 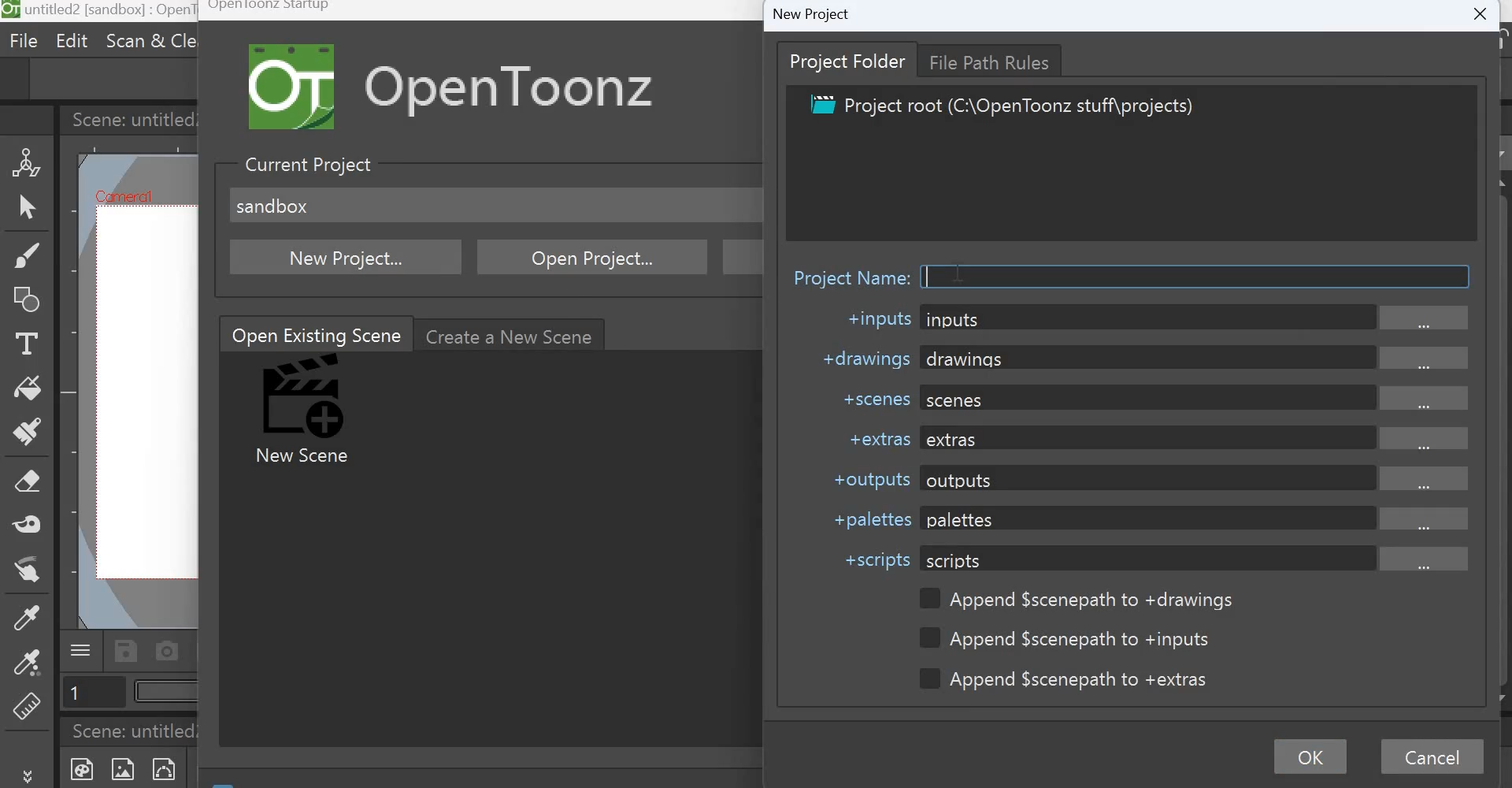 I want to click on Eraser tool, so click(x=29, y=481).